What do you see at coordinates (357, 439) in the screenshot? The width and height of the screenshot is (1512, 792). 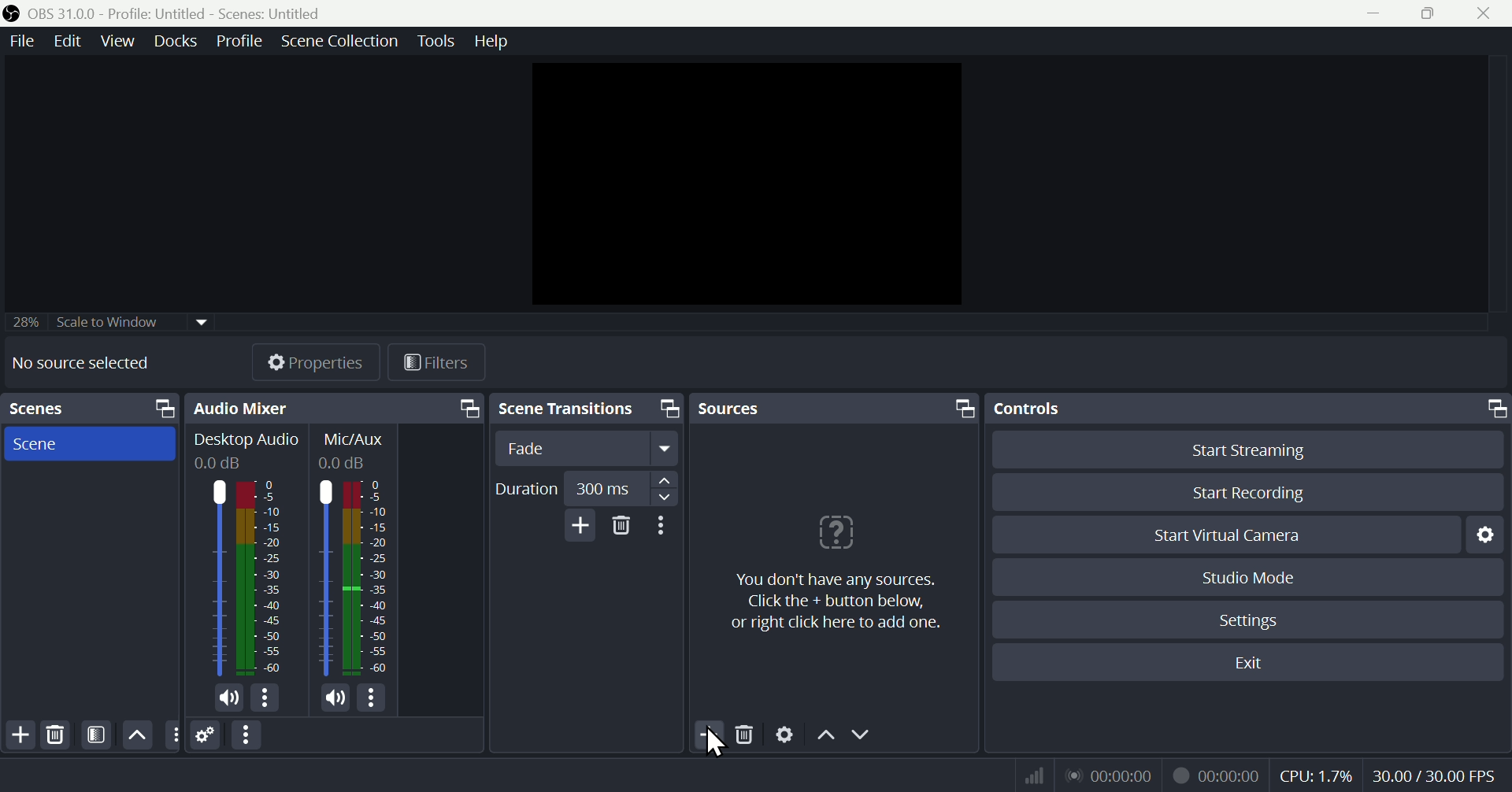 I see `` at bounding box center [357, 439].